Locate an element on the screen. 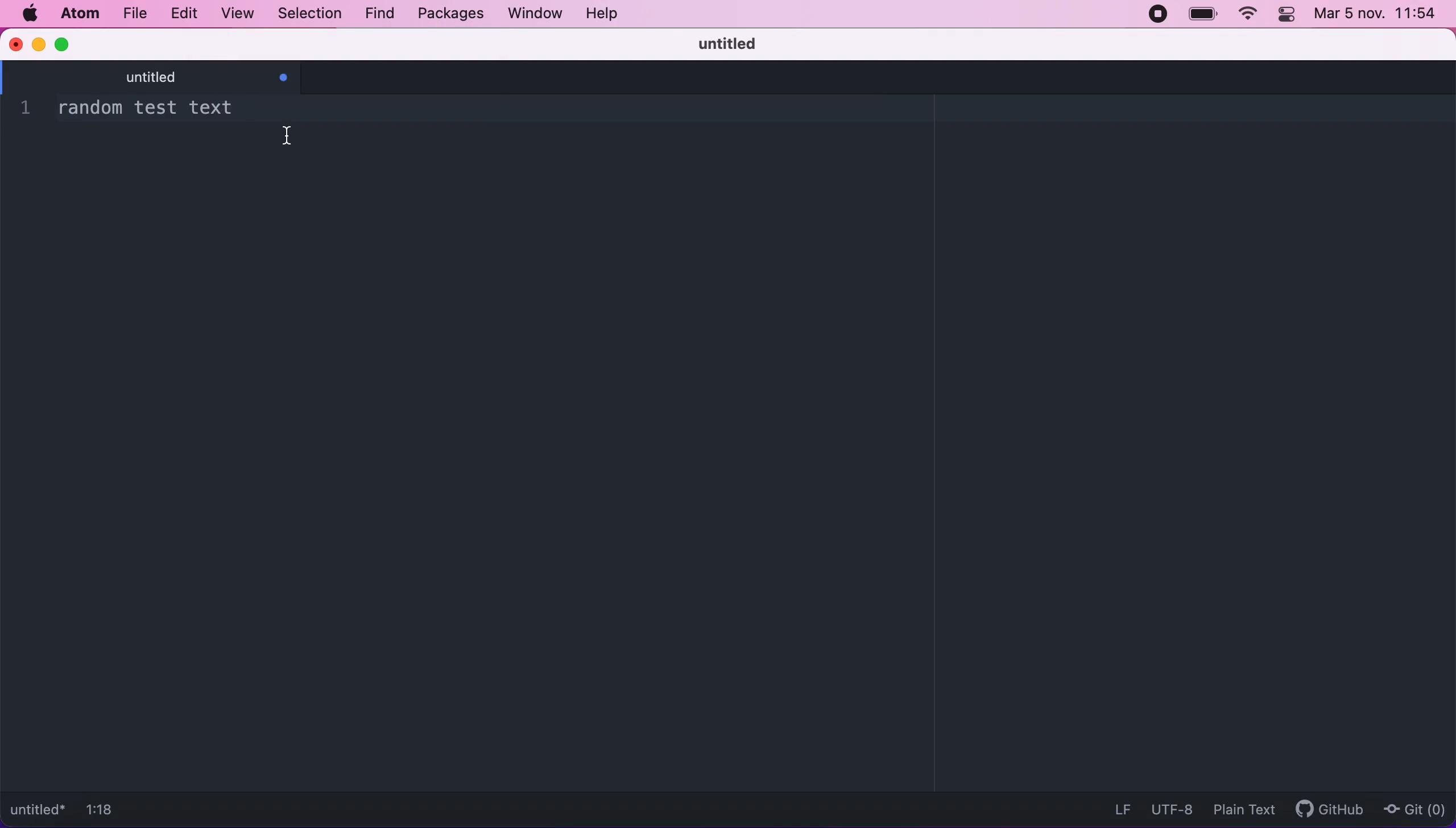  minimize is located at coordinates (38, 43).